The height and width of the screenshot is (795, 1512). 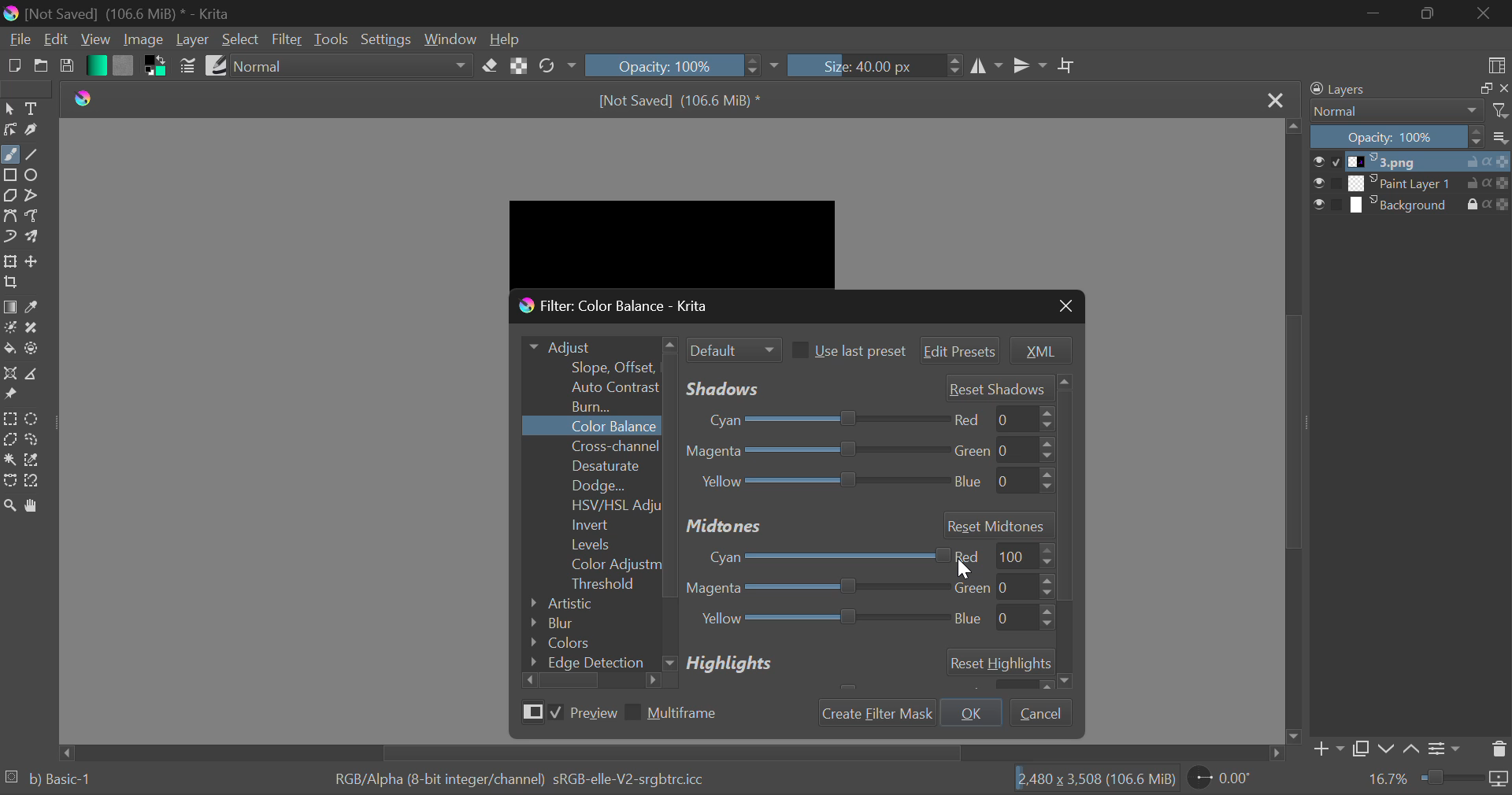 What do you see at coordinates (1498, 64) in the screenshot?
I see `Choose Workspace` at bounding box center [1498, 64].